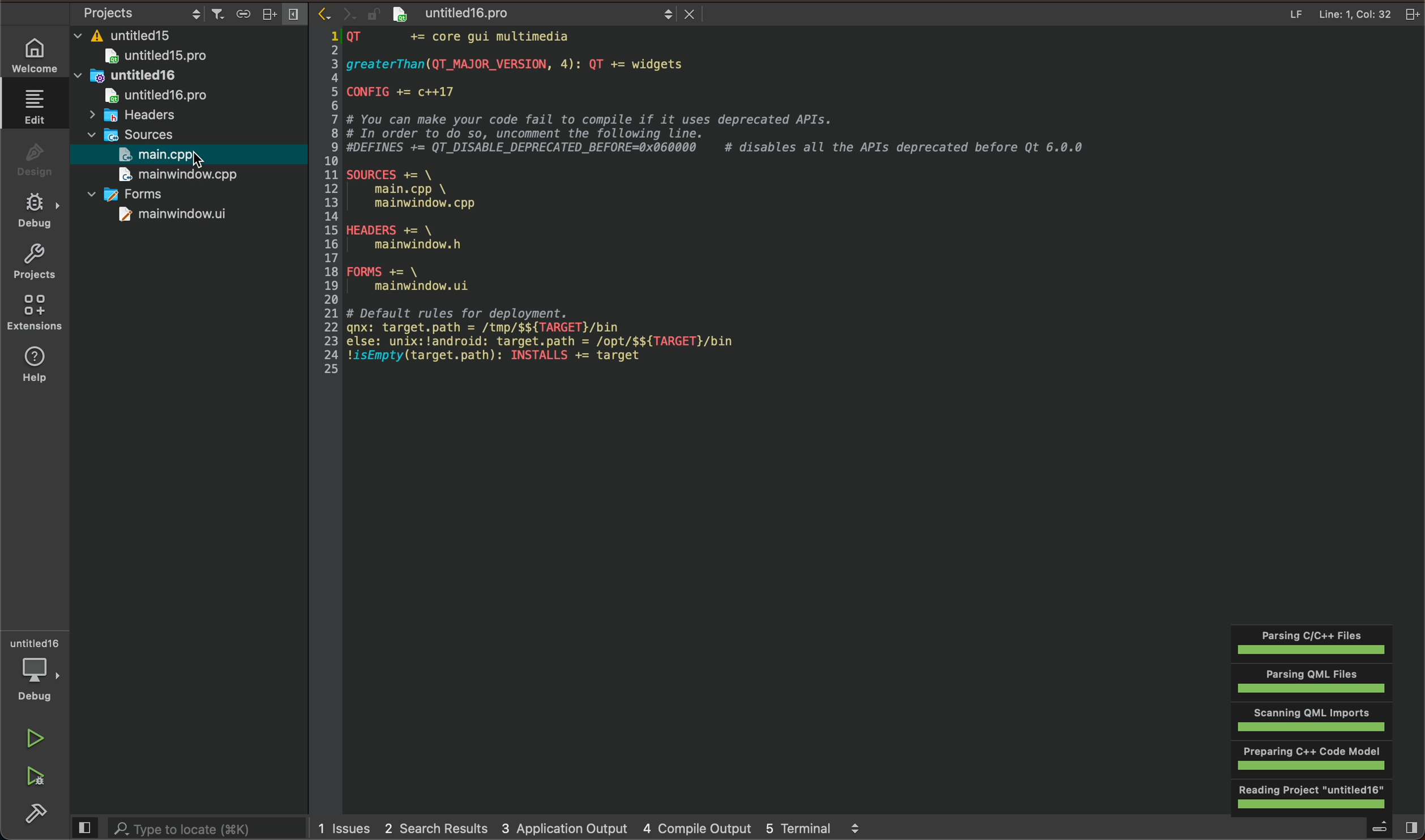  Describe the element at coordinates (38, 739) in the screenshot. I see `run ` at that location.